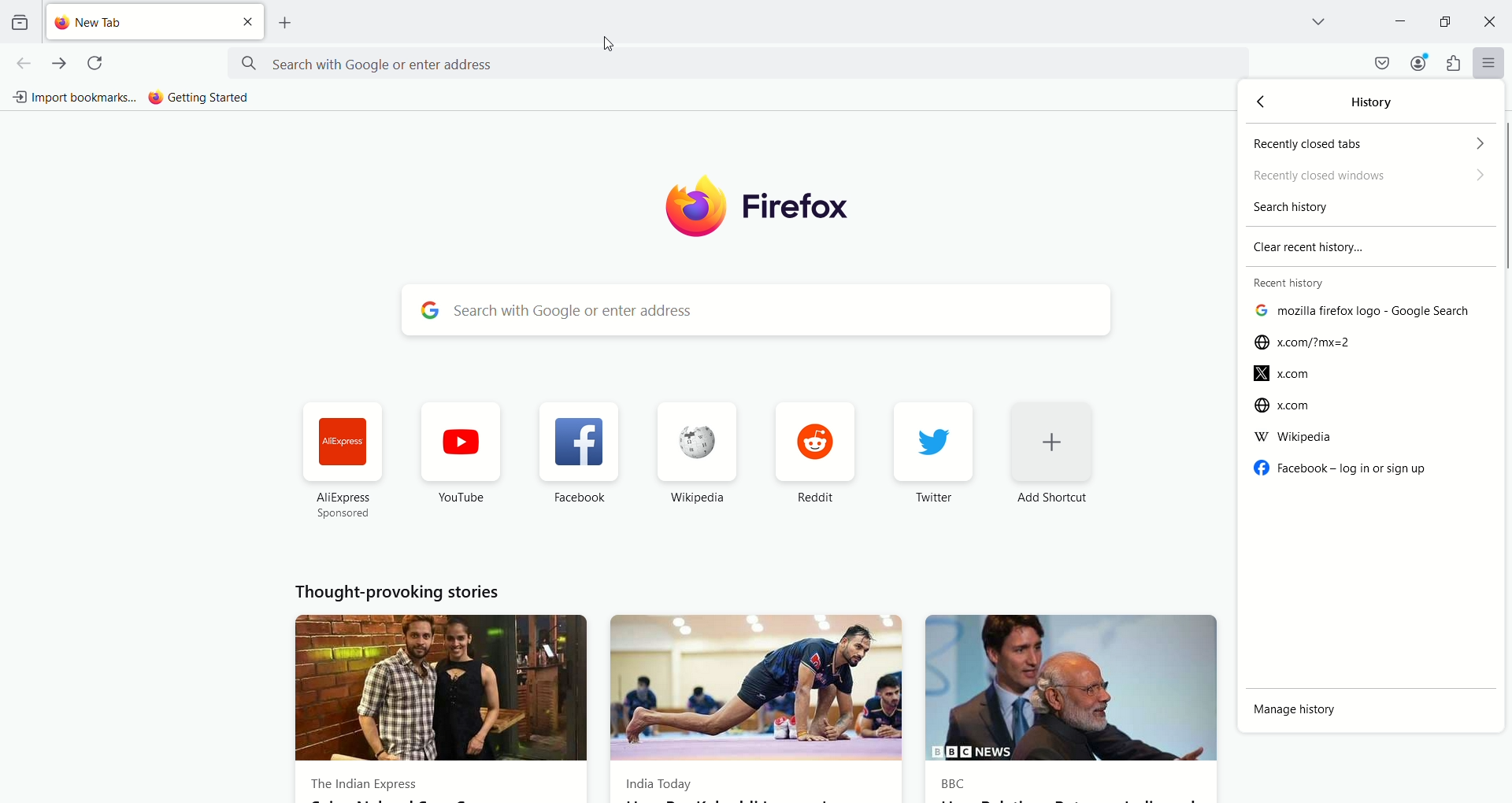 Image resolution: width=1512 pixels, height=803 pixels. Describe the element at coordinates (932, 454) in the screenshot. I see `twitter` at that location.